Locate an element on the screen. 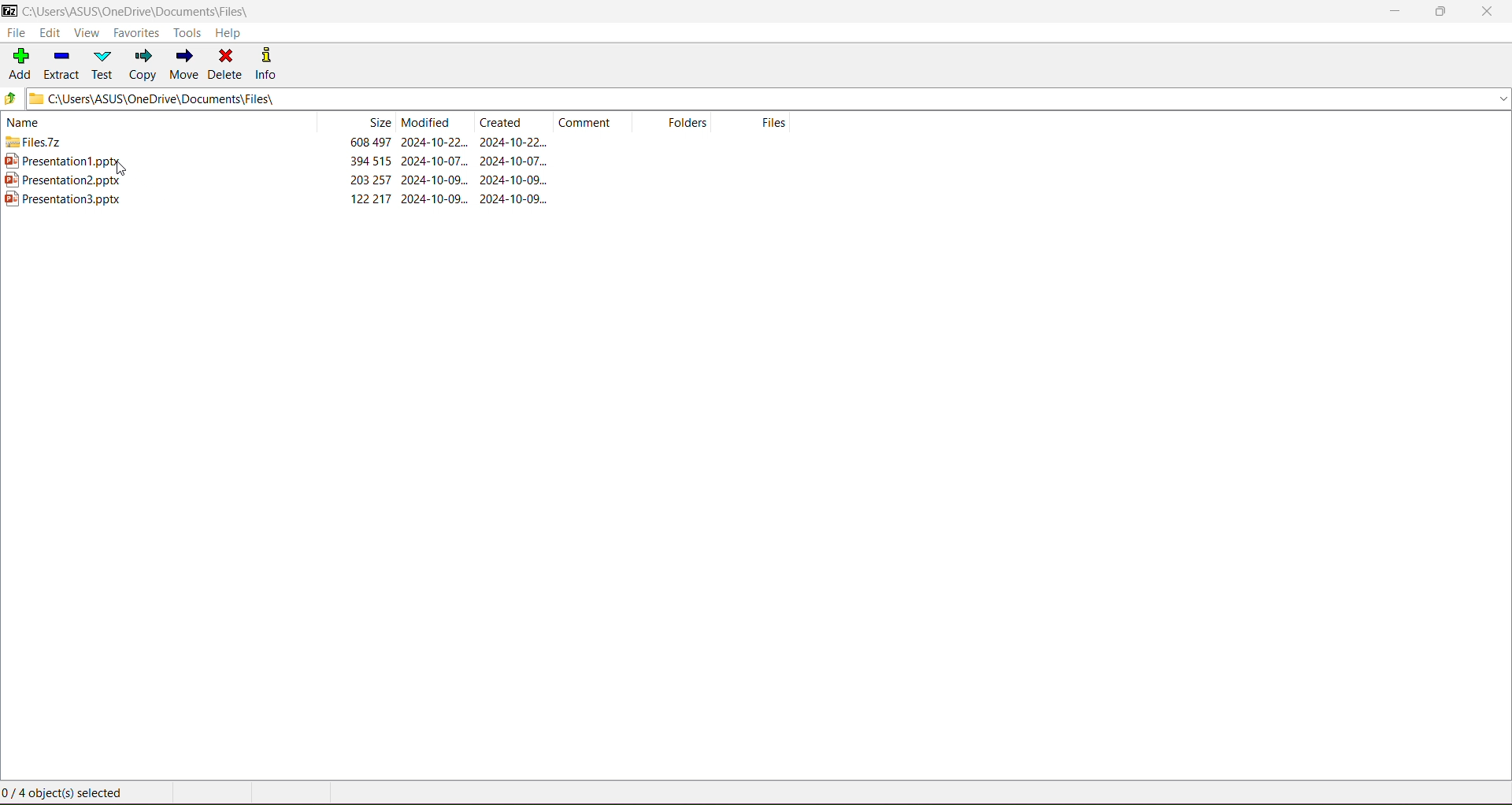 The image size is (1512, 805). presentation2.pptx is located at coordinates (63, 180).